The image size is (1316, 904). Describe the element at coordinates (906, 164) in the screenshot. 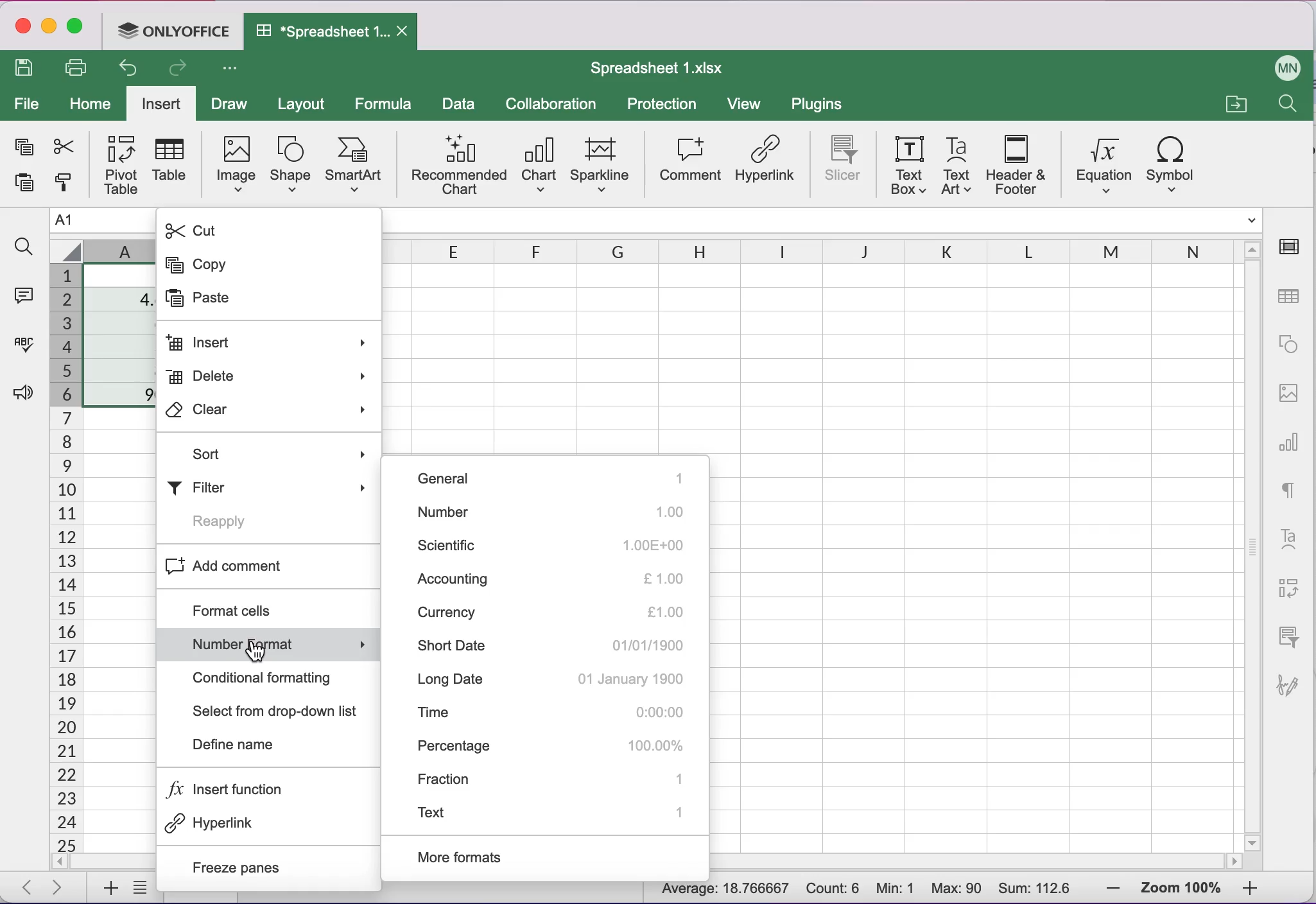

I see `text box` at that location.